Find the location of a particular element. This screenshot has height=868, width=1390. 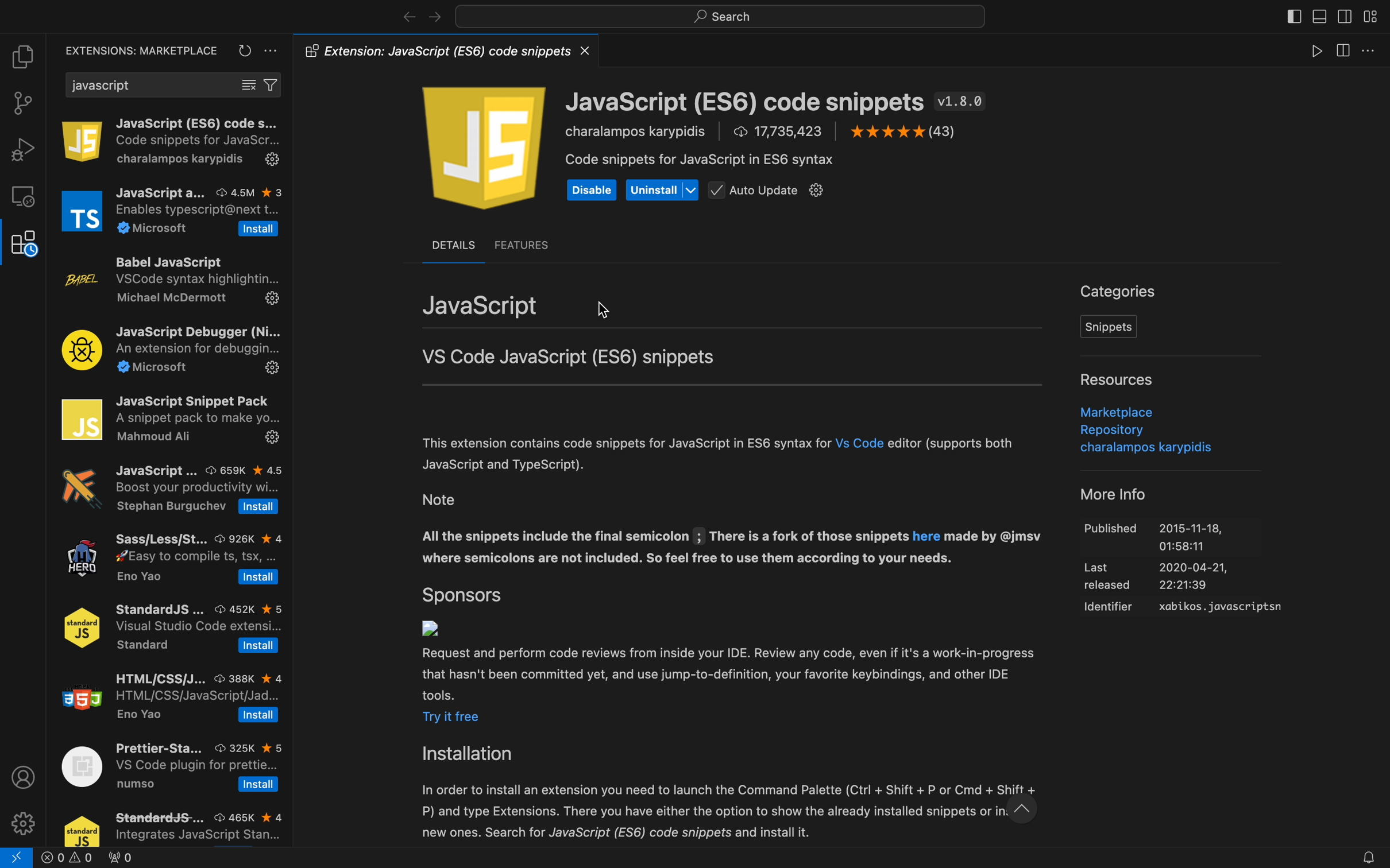

Note is located at coordinates (445, 501).